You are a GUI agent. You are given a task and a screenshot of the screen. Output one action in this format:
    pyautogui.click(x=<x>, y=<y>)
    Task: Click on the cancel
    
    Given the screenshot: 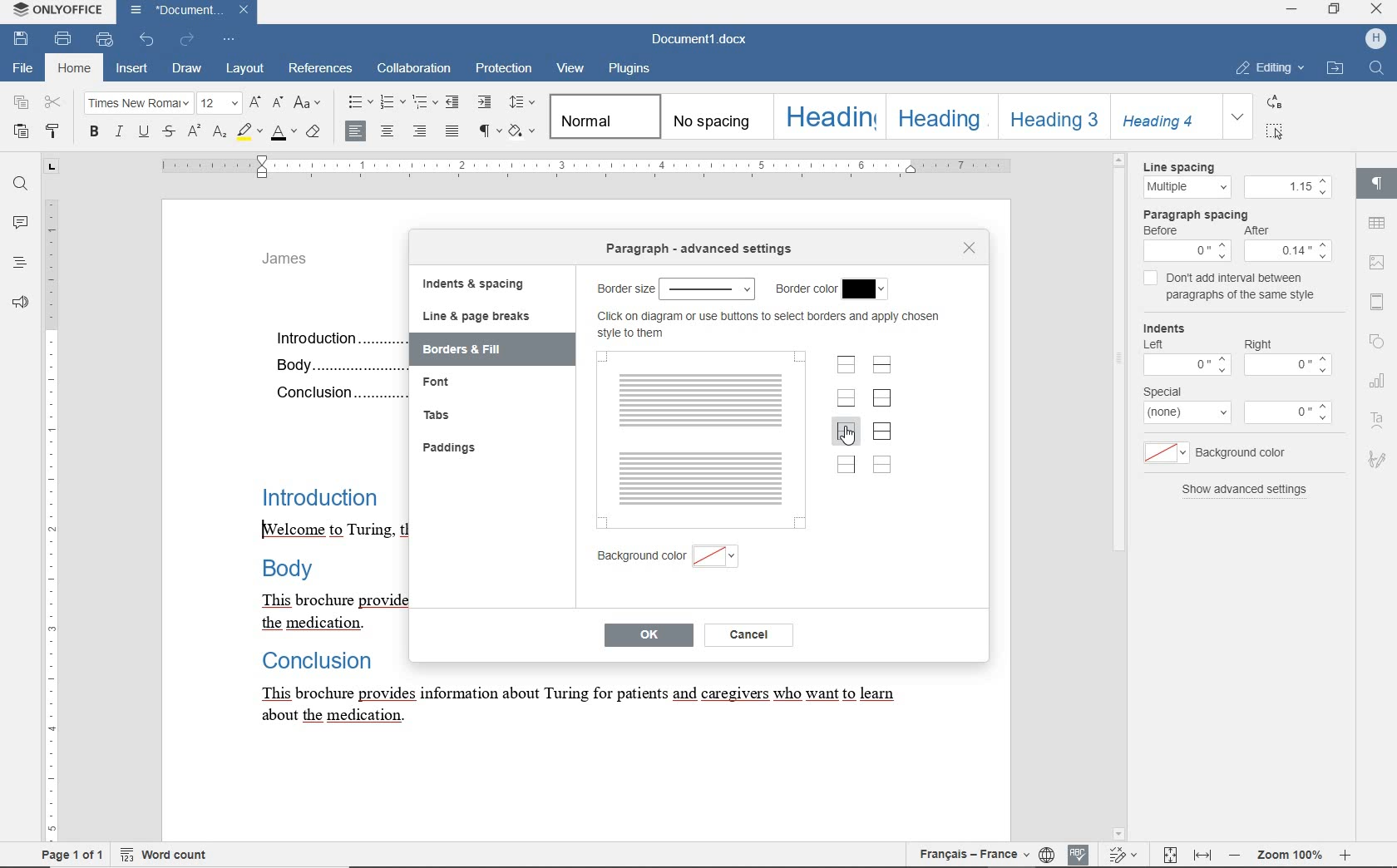 What is the action you would take?
    pyautogui.click(x=749, y=635)
    